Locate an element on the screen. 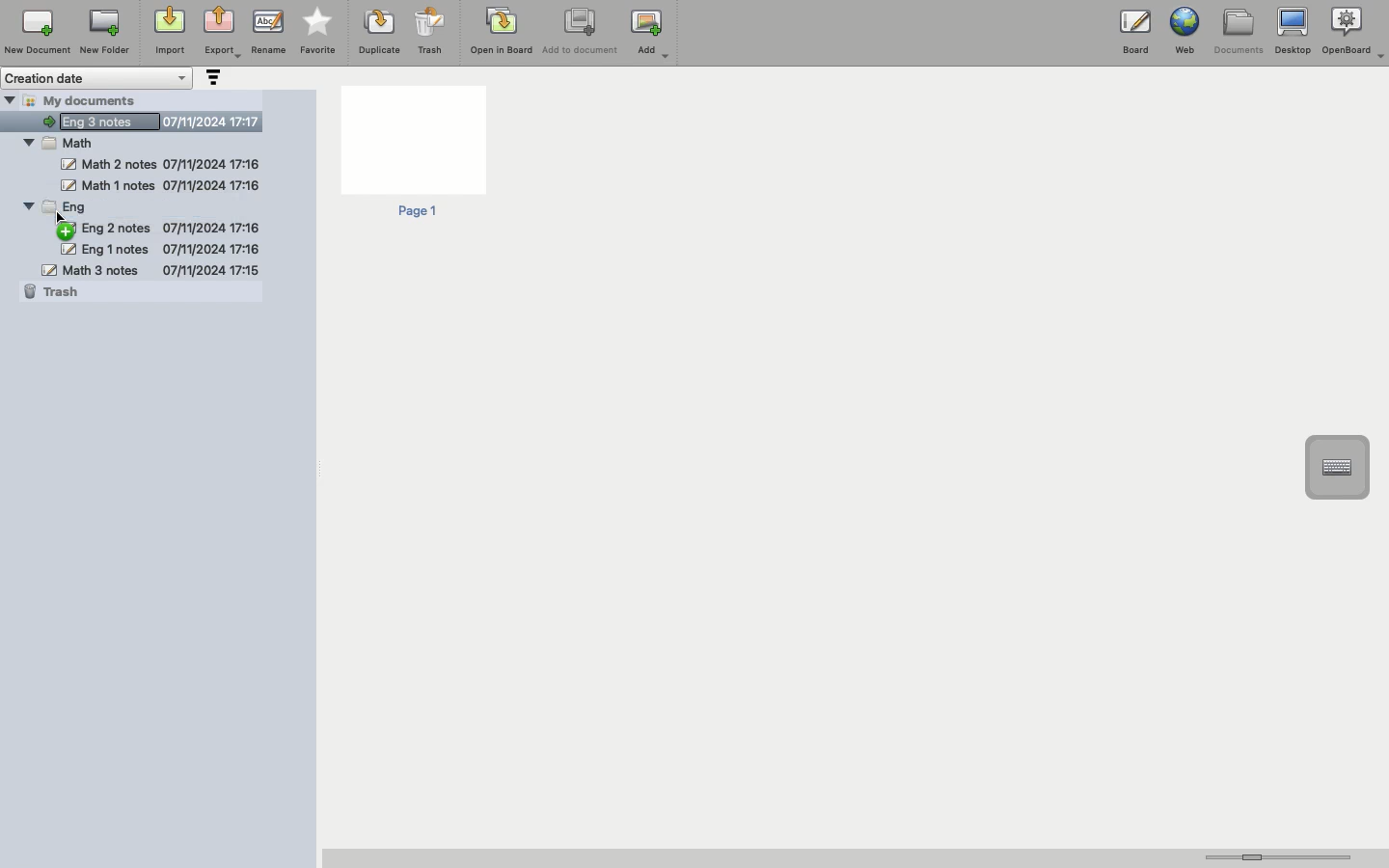 This screenshot has height=868, width=1389. Creation date is located at coordinates (98, 78).